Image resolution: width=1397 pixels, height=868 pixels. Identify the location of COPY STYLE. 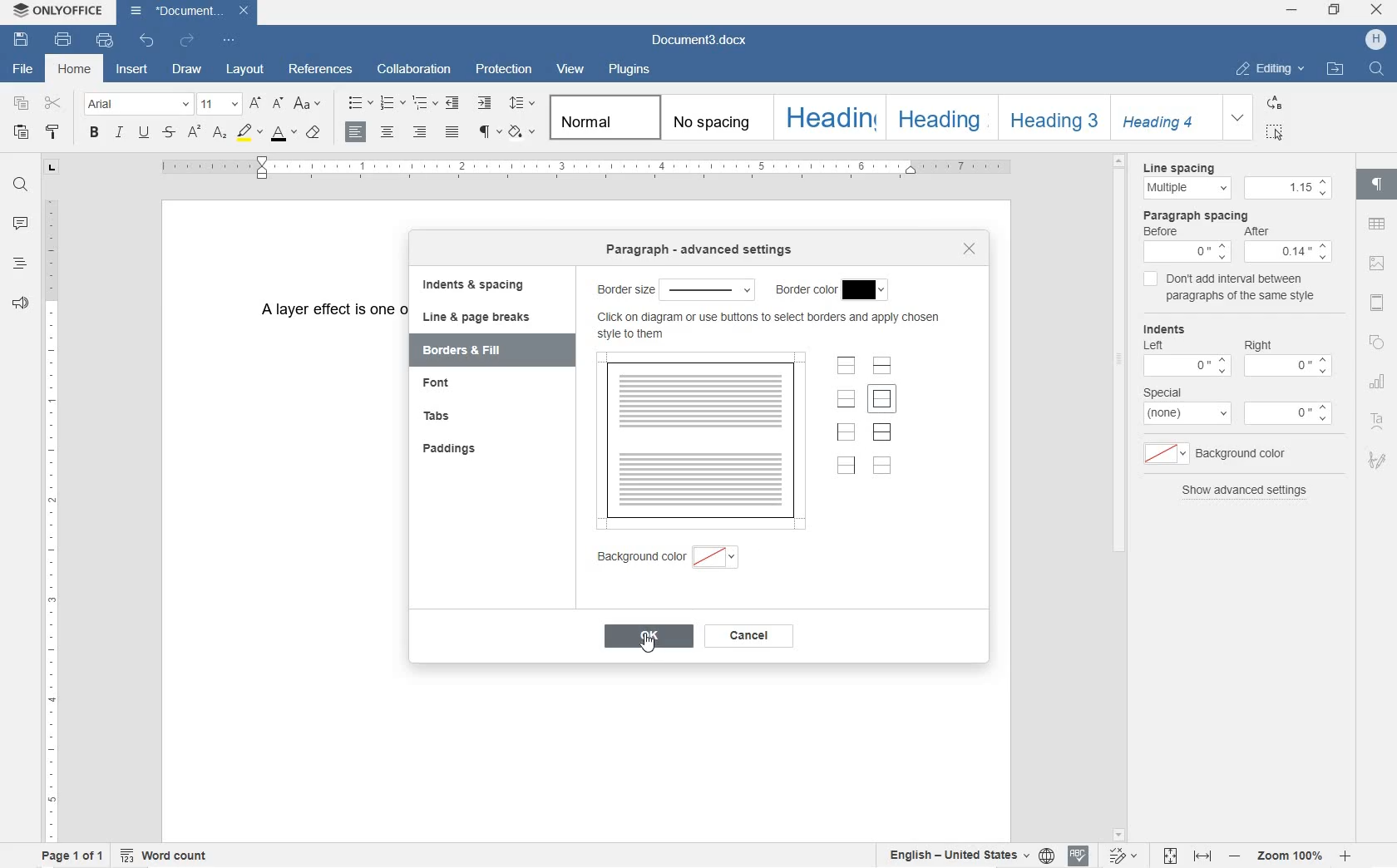
(53, 133).